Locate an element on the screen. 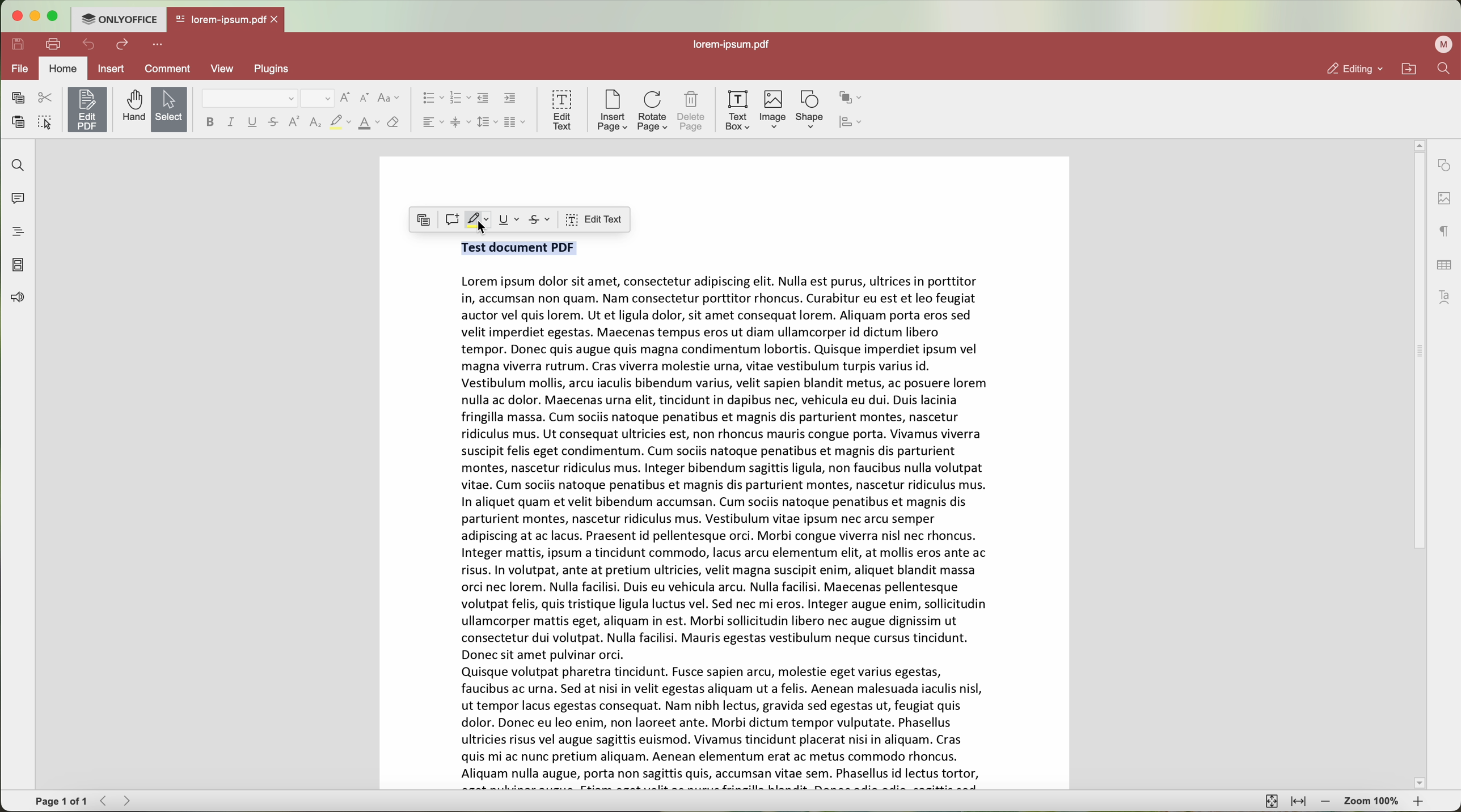  view is located at coordinates (228, 69).